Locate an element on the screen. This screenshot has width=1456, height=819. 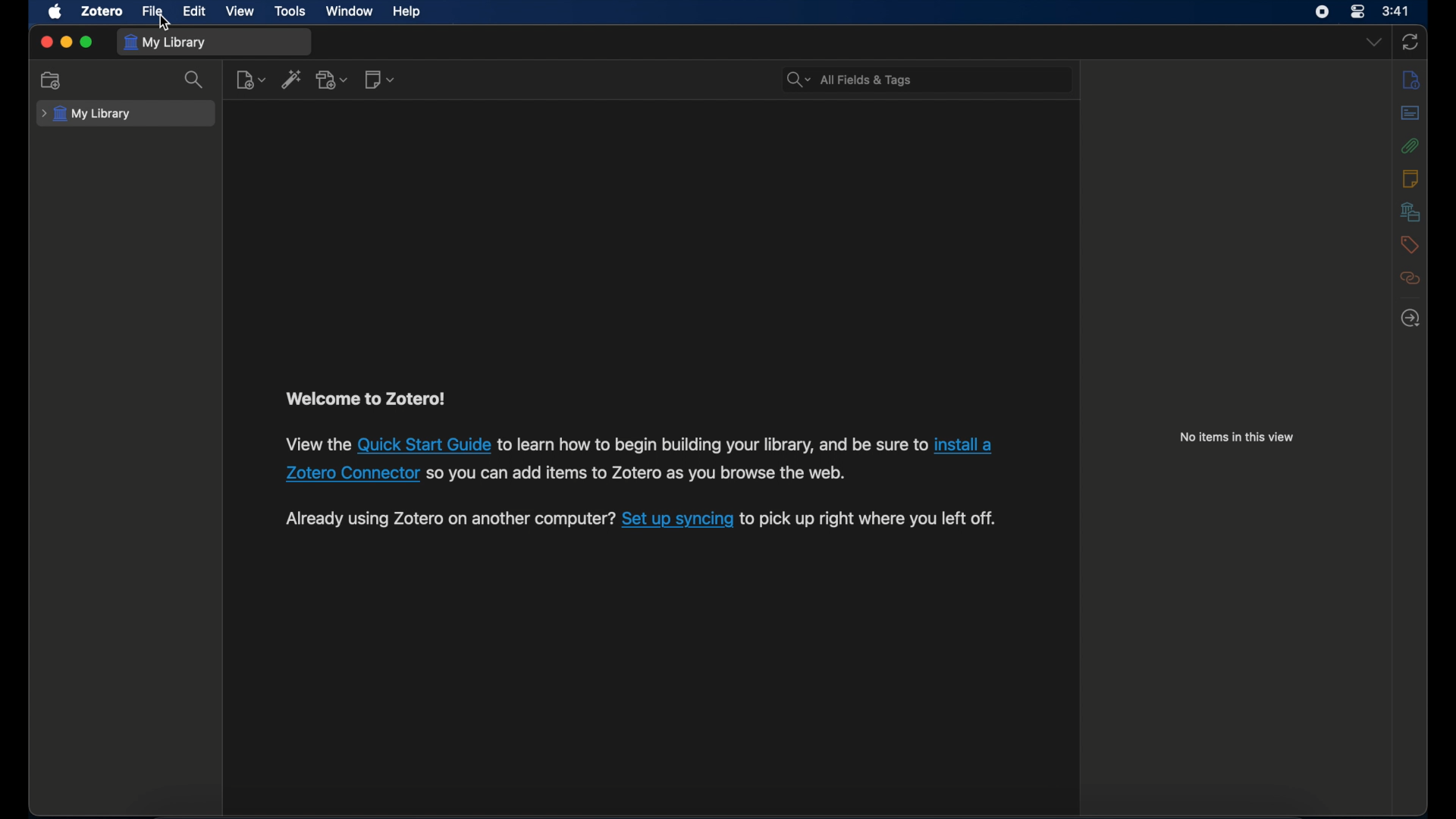
new item is located at coordinates (250, 79).